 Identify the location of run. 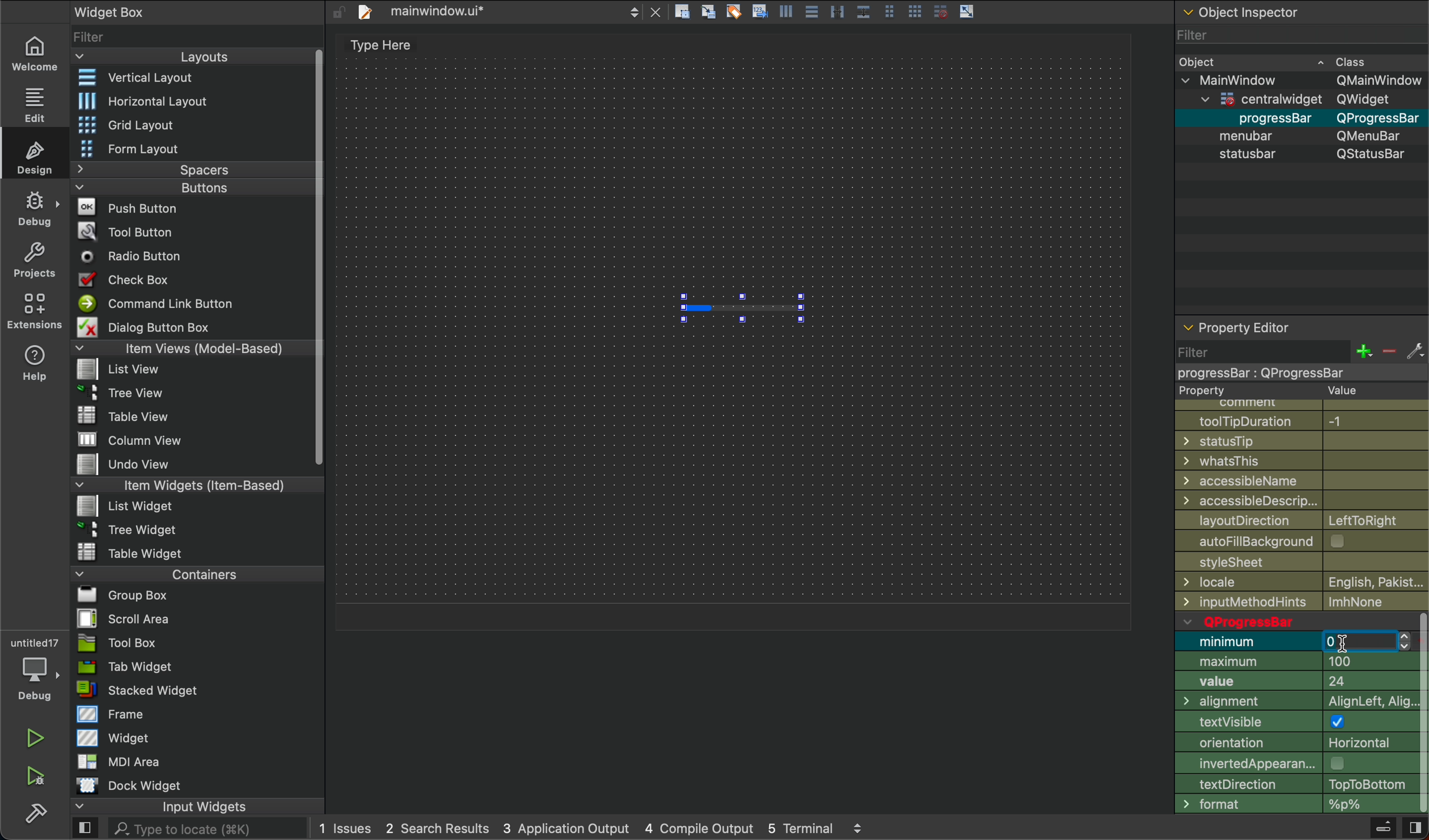
(36, 738).